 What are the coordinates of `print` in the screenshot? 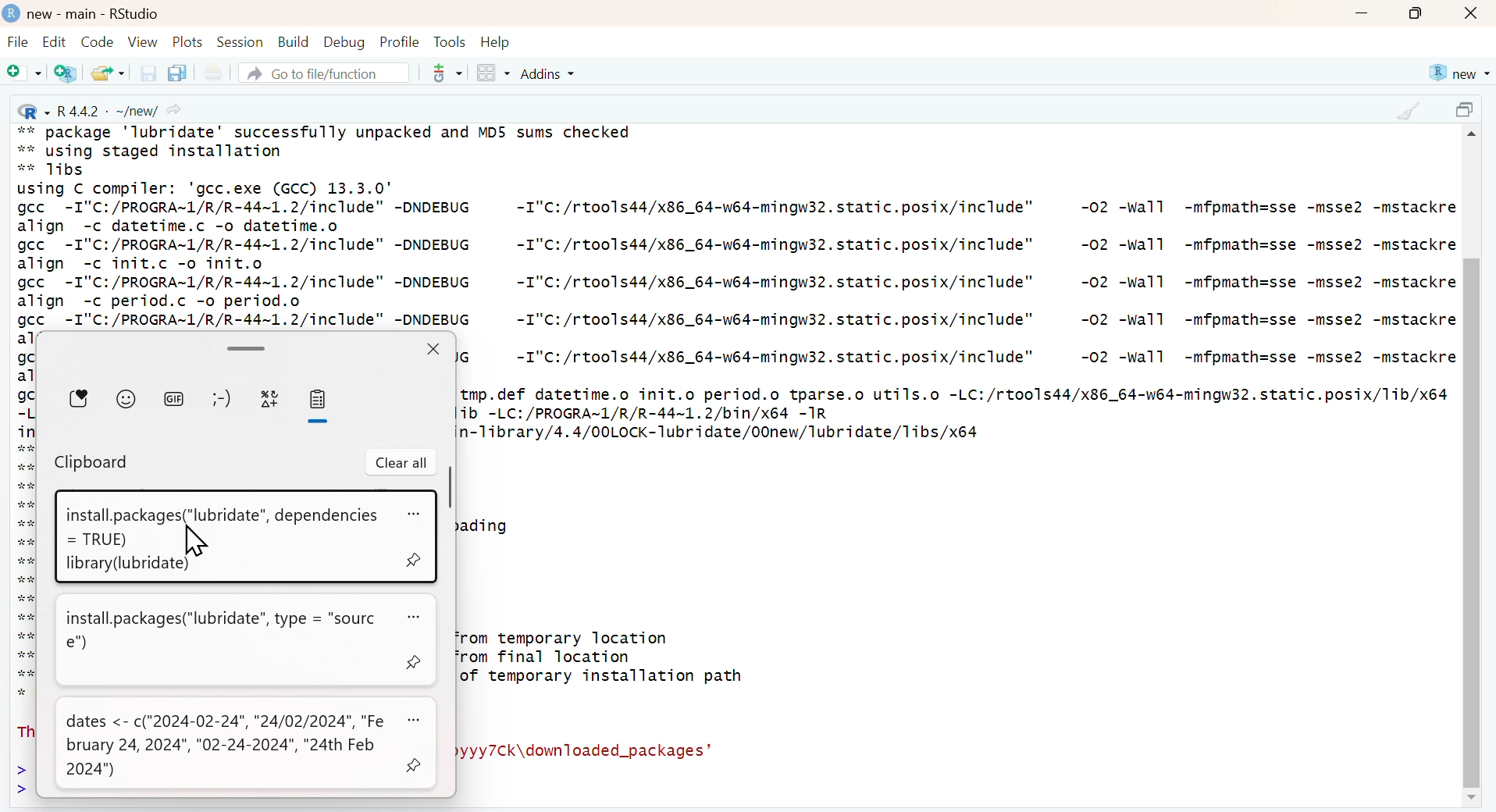 It's located at (212, 73).